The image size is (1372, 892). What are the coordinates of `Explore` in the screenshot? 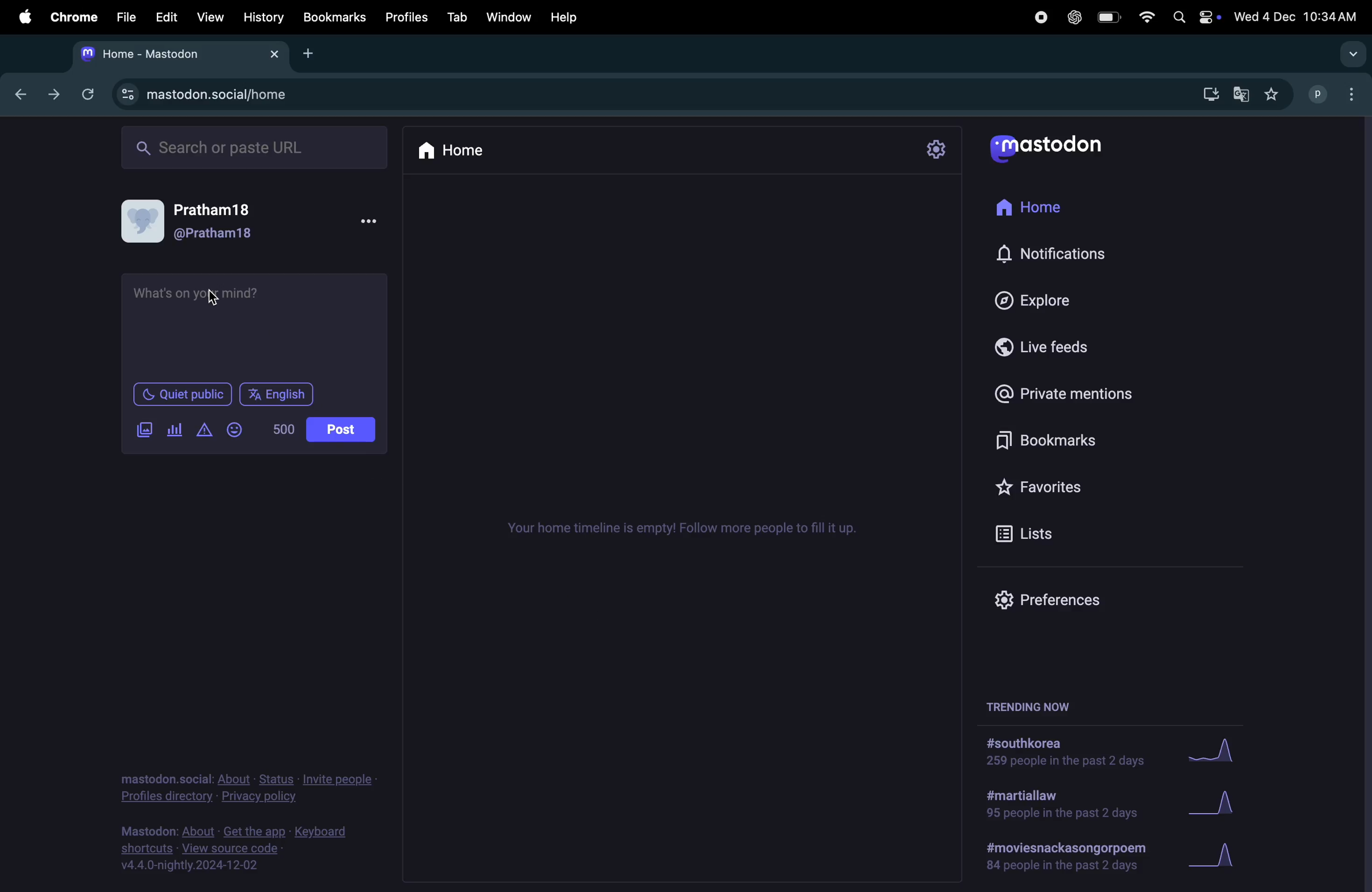 It's located at (1030, 298).